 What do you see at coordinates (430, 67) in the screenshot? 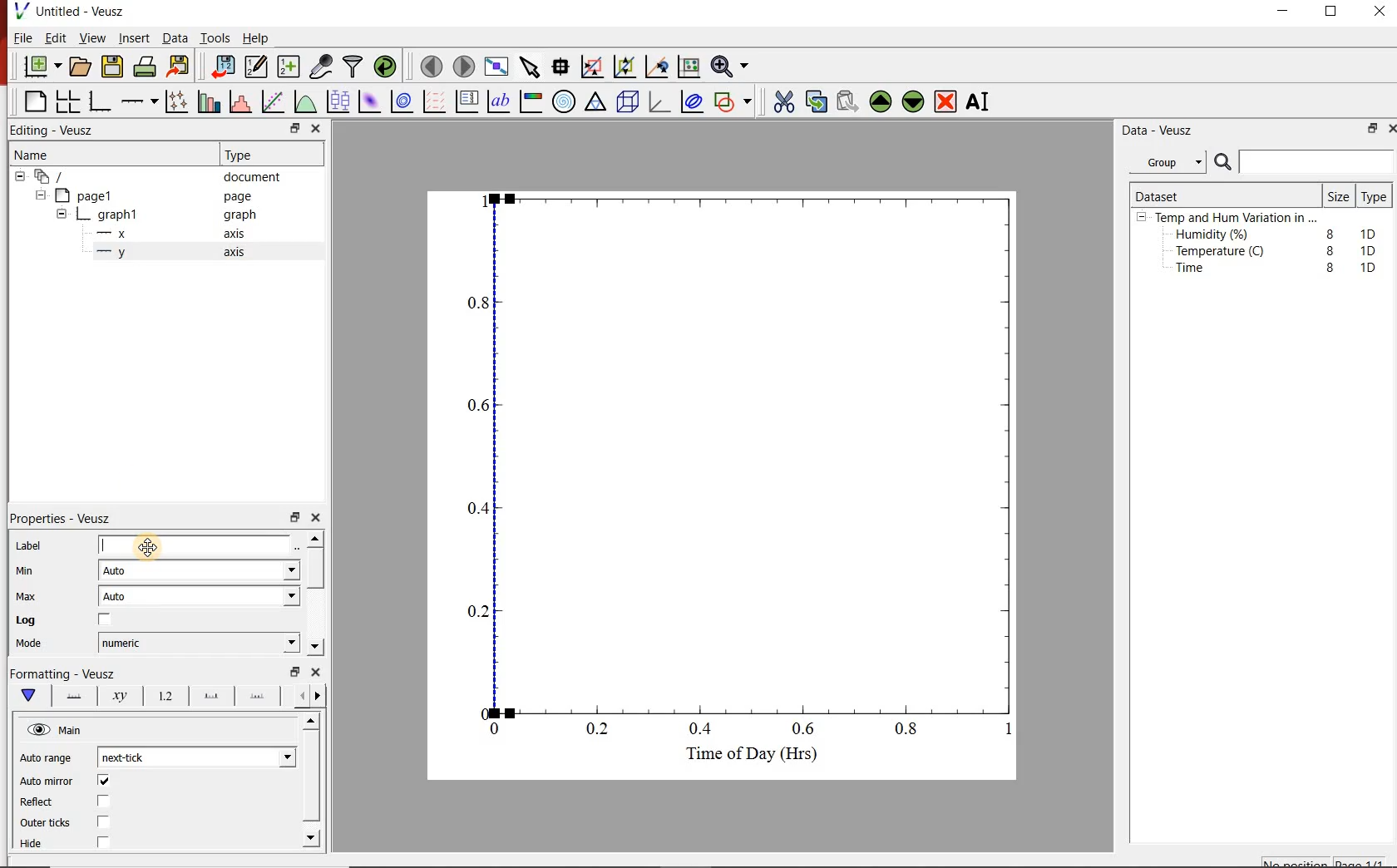
I see `move to the previous page` at bounding box center [430, 67].